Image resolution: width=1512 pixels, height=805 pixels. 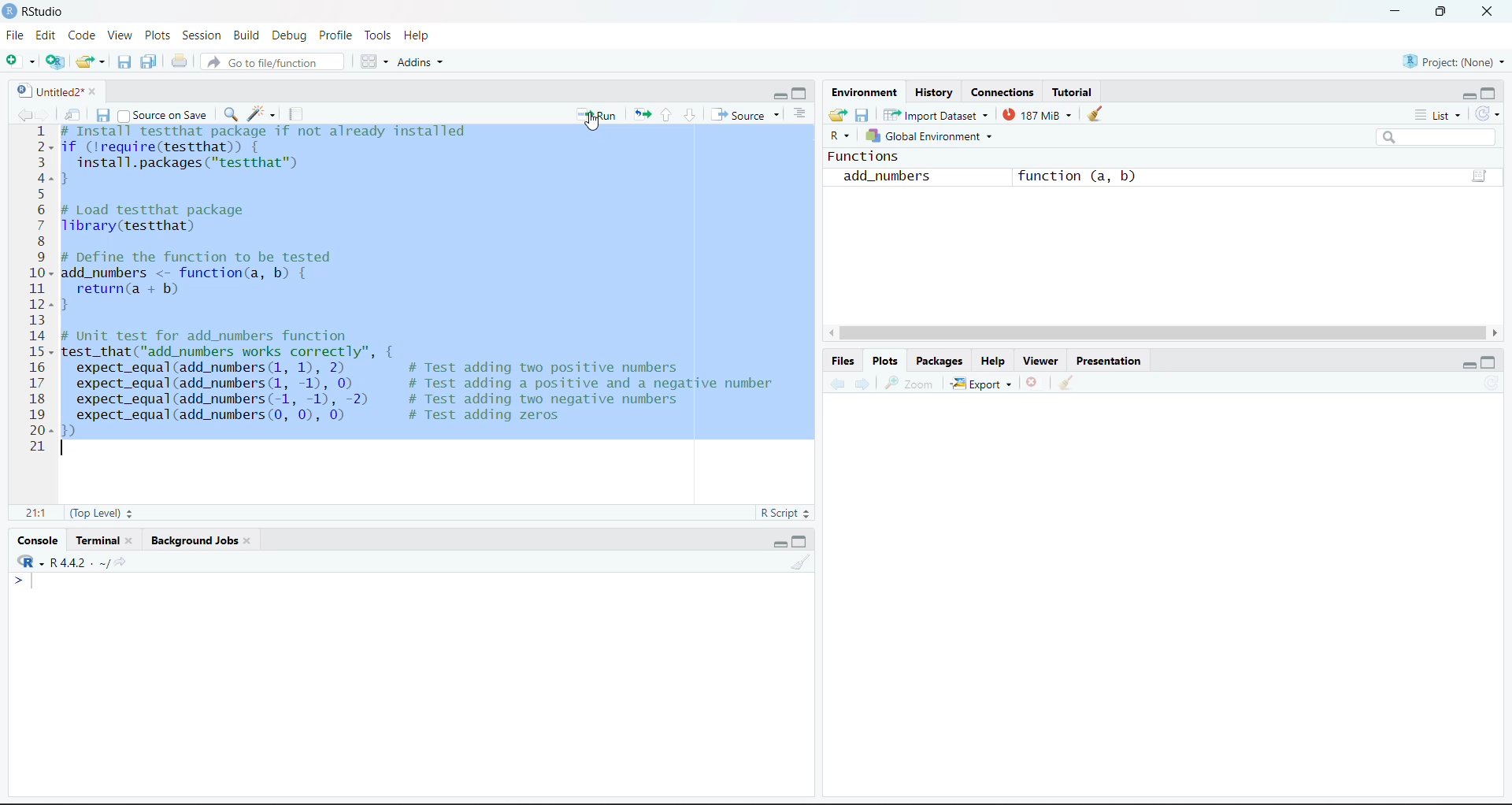 What do you see at coordinates (997, 361) in the screenshot?
I see `Help` at bounding box center [997, 361].